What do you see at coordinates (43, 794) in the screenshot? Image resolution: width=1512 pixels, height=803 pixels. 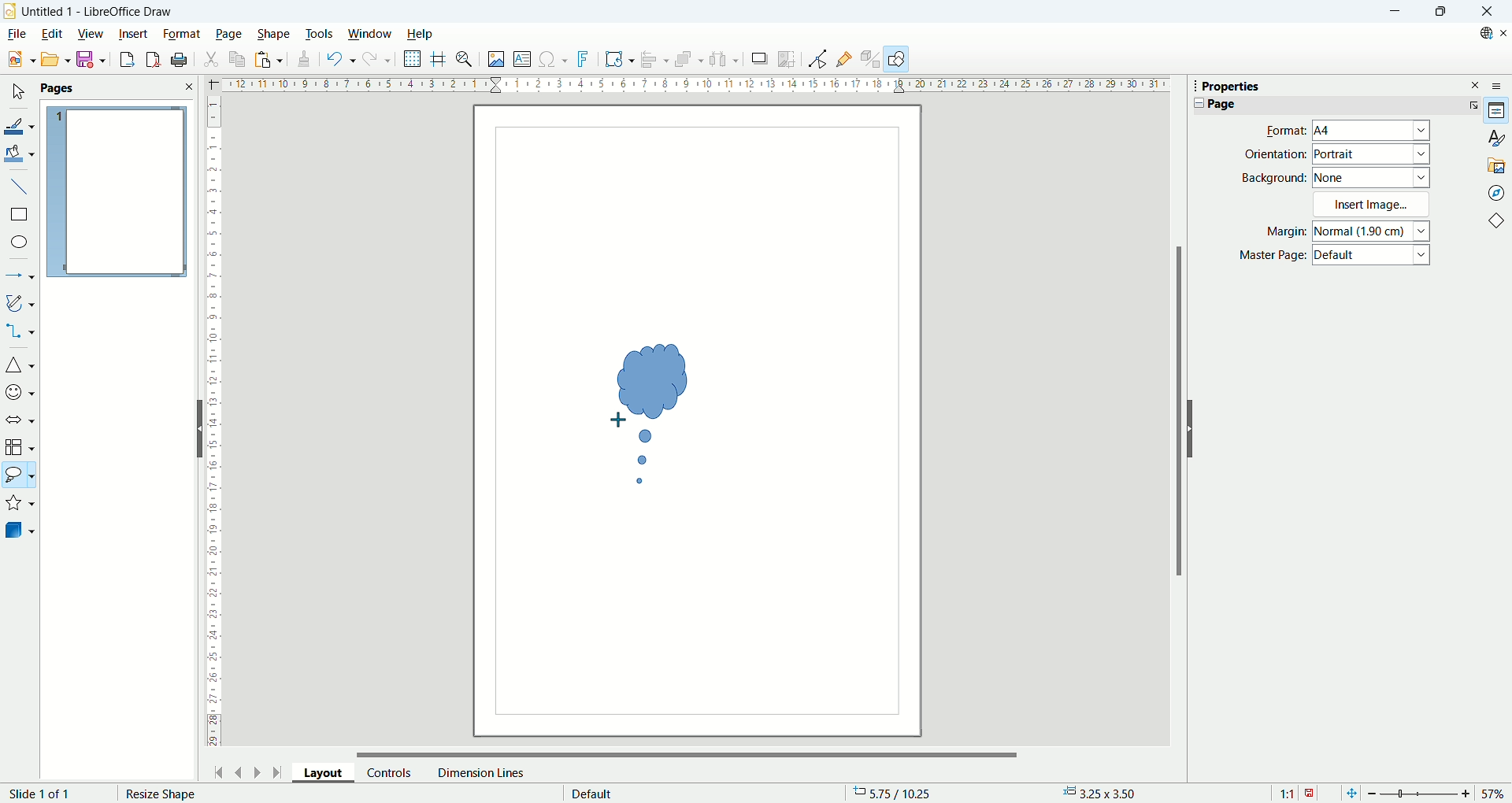 I see `slide number` at bounding box center [43, 794].